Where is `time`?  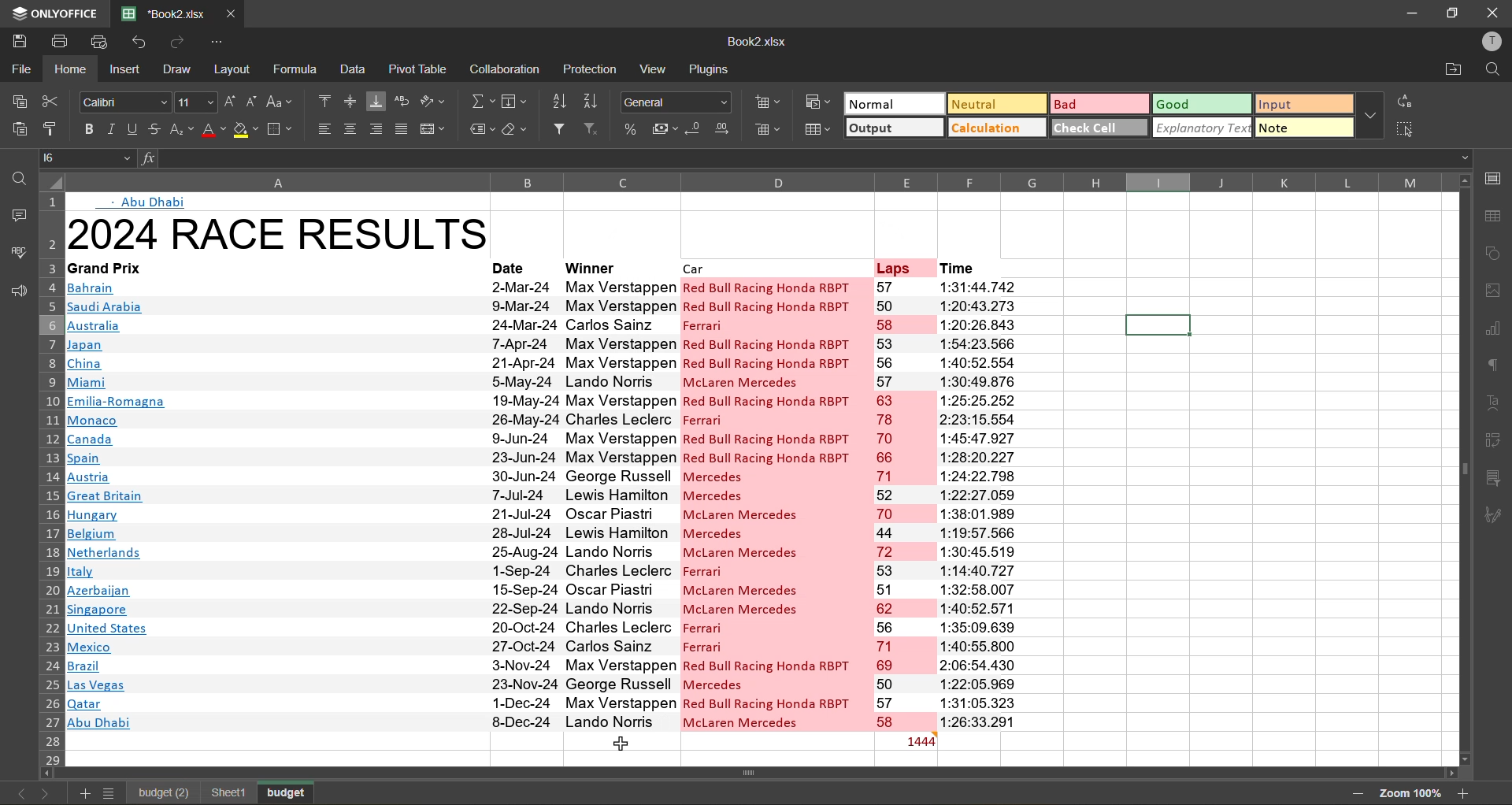 time is located at coordinates (977, 267).